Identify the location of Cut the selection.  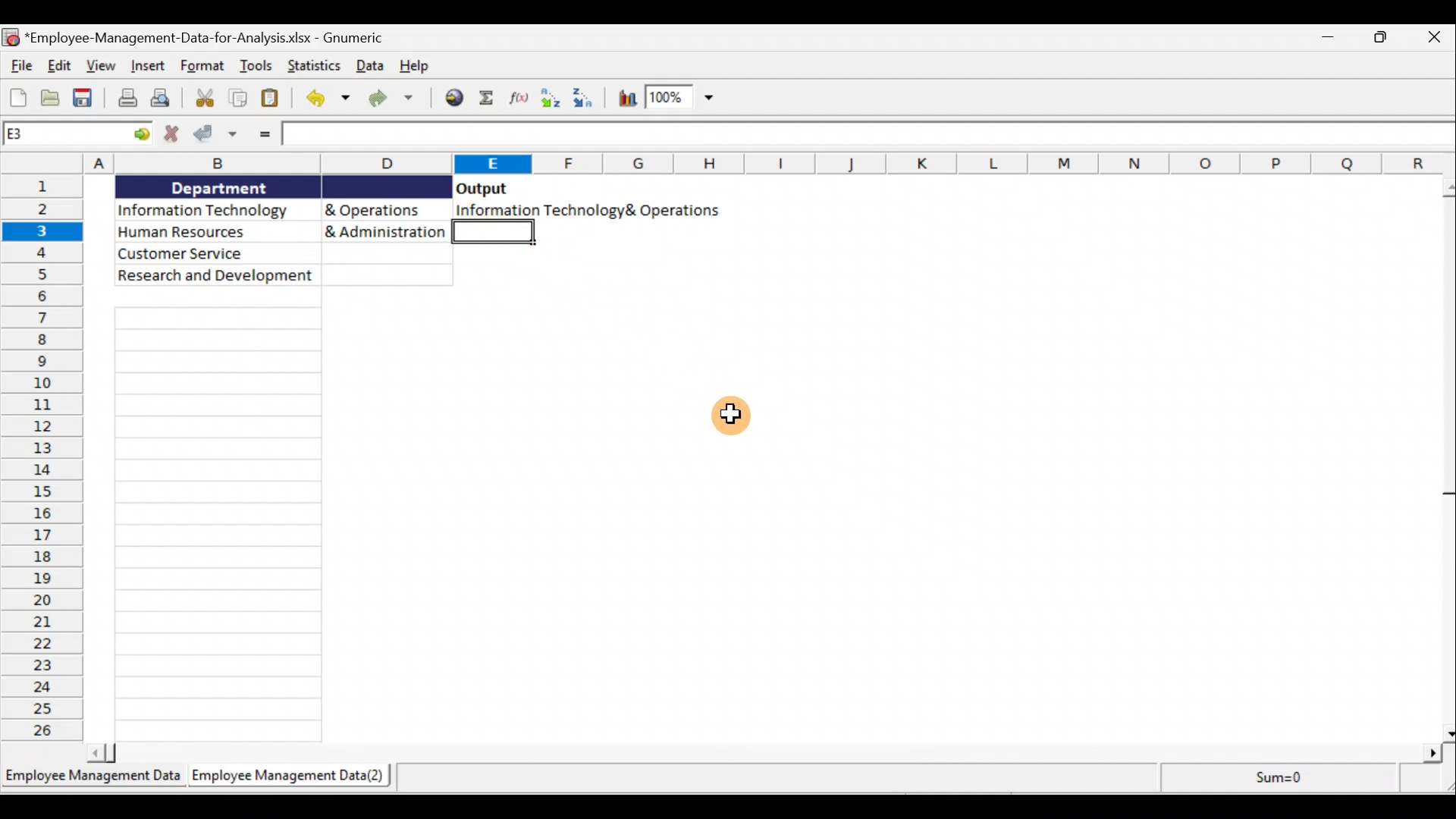
(208, 99).